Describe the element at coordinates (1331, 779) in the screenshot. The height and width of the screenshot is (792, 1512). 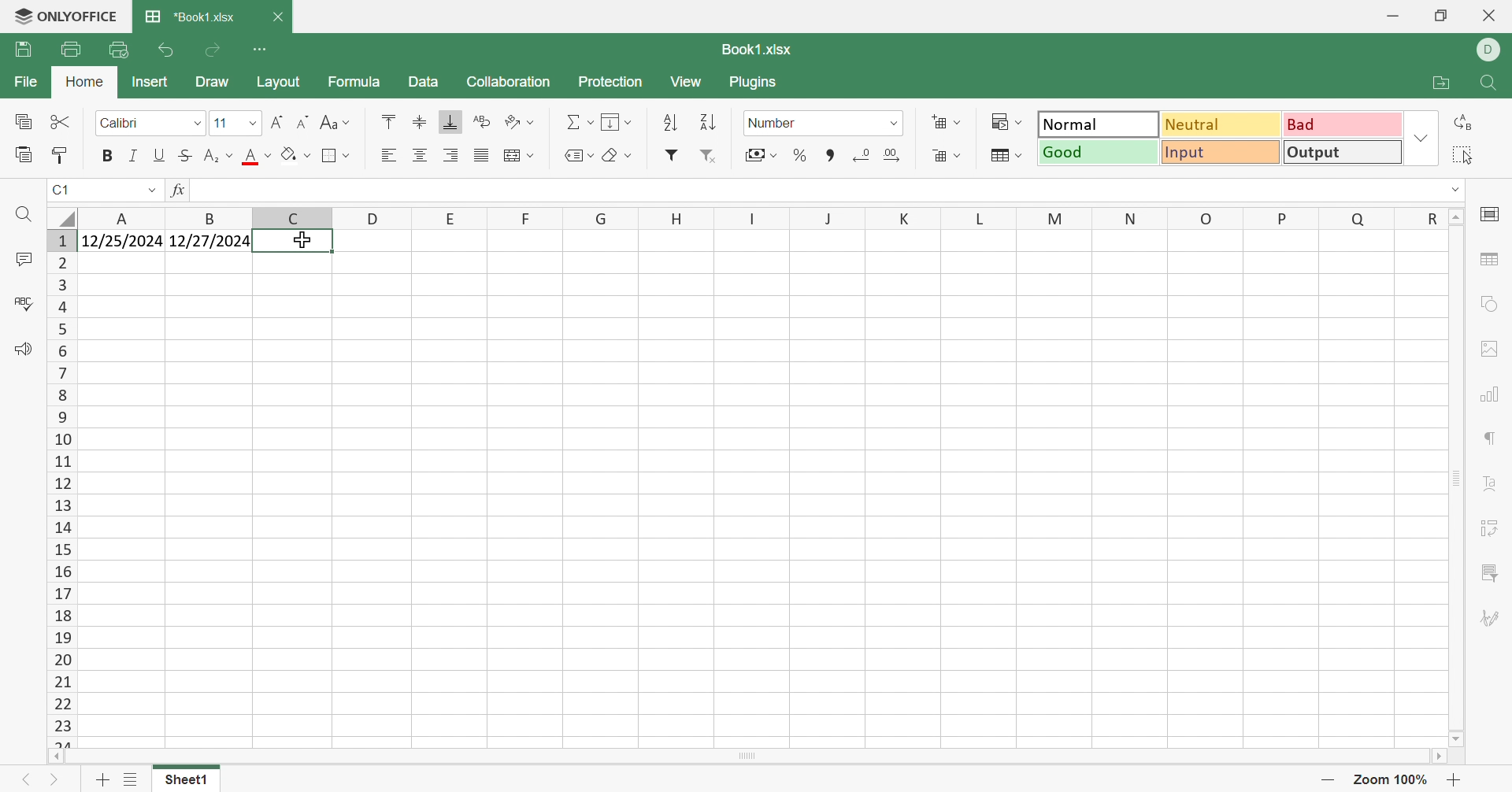
I see `Zoom Out` at that location.